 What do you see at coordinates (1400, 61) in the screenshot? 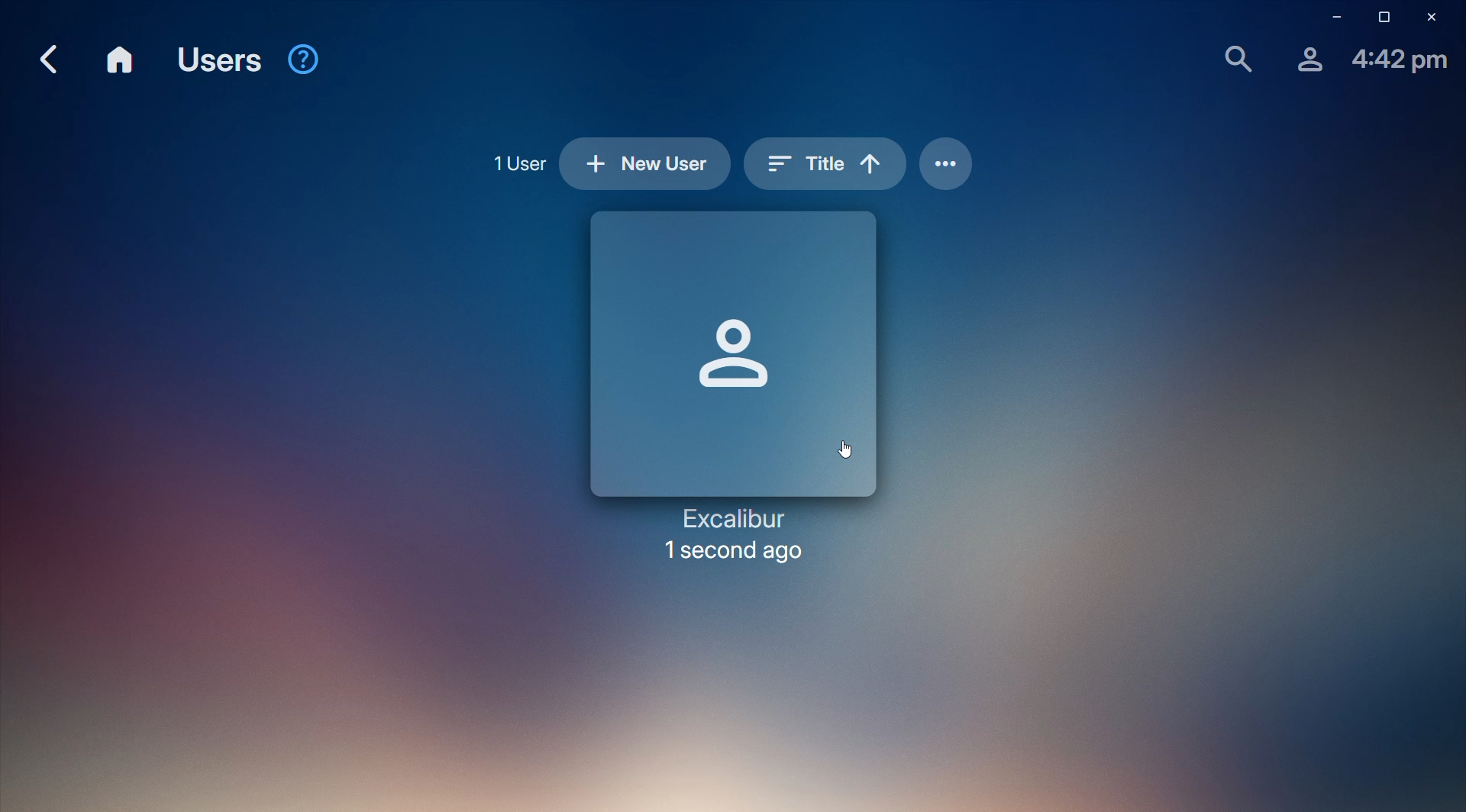
I see `4:42 pm` at bounding box center [1400, 61].